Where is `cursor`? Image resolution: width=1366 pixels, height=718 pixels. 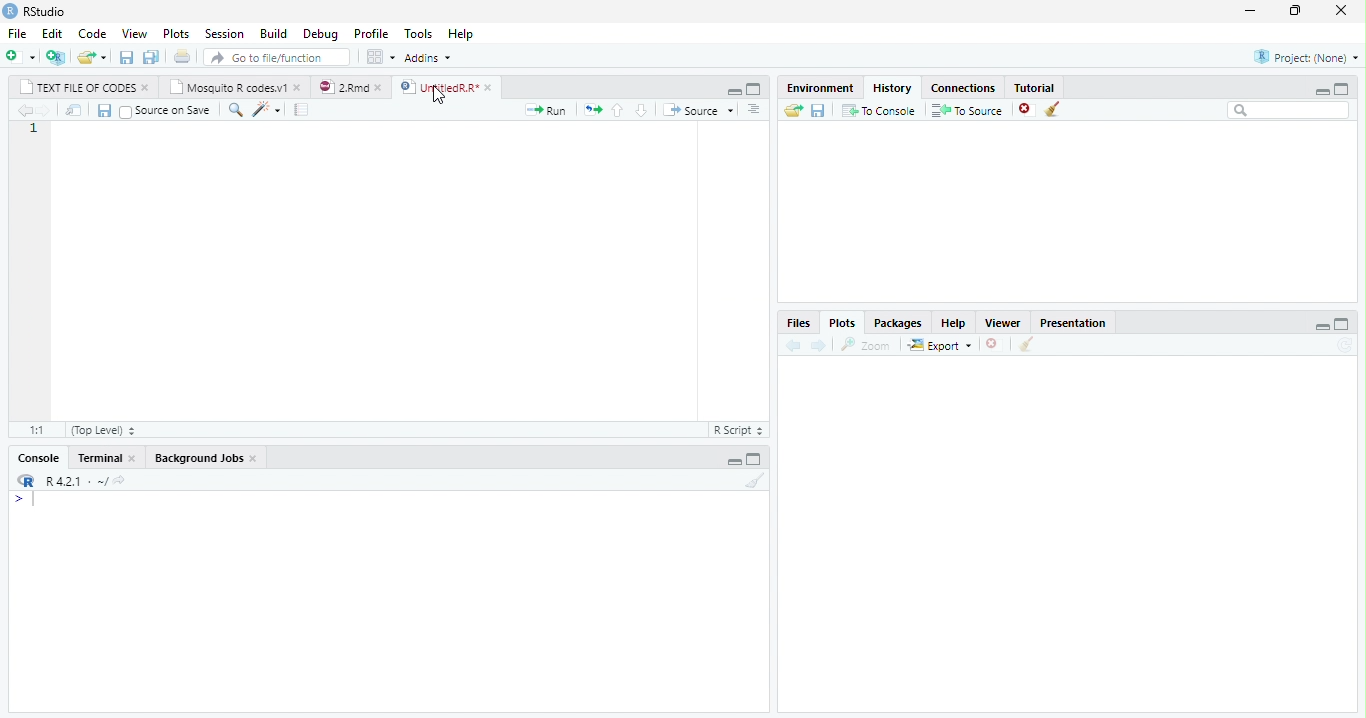
cursor is located at coordinates (437, 98).